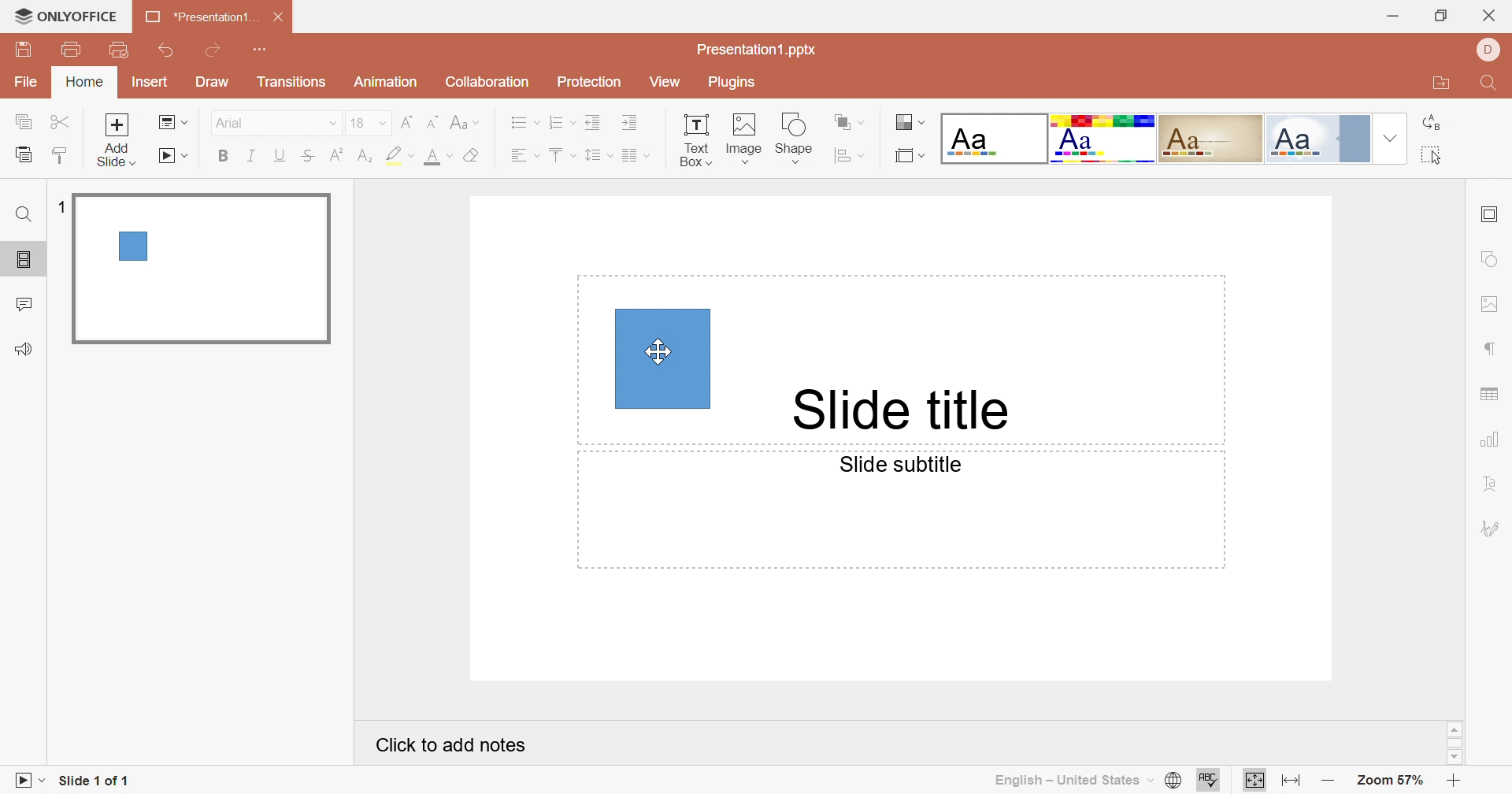 This screenshot has height=794, width=1512. I want to click on Select All, so click(1432, 155).